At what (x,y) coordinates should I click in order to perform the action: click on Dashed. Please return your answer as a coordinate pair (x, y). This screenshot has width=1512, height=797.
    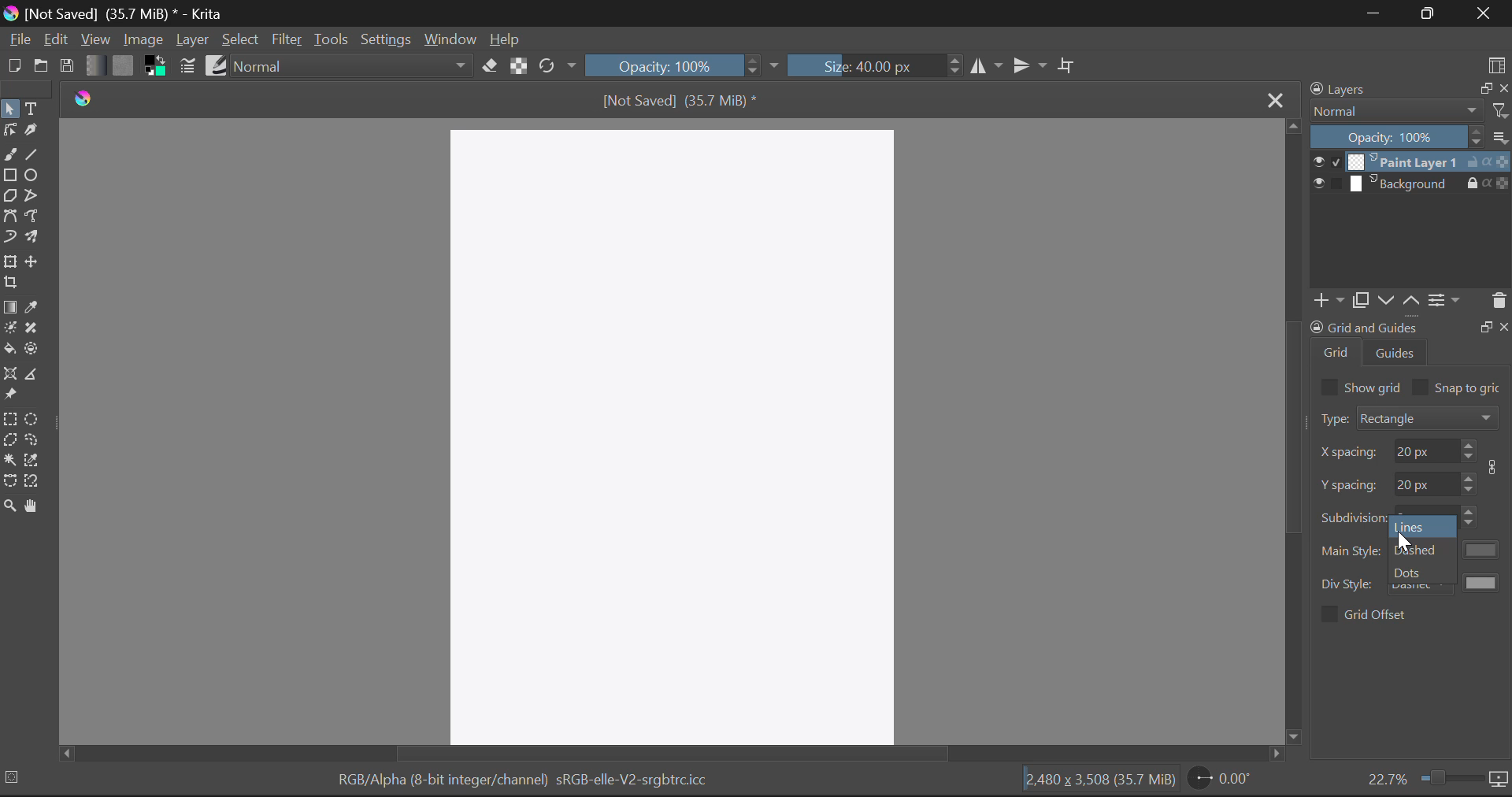
    Looking at the image, I should click on (1421, 550).